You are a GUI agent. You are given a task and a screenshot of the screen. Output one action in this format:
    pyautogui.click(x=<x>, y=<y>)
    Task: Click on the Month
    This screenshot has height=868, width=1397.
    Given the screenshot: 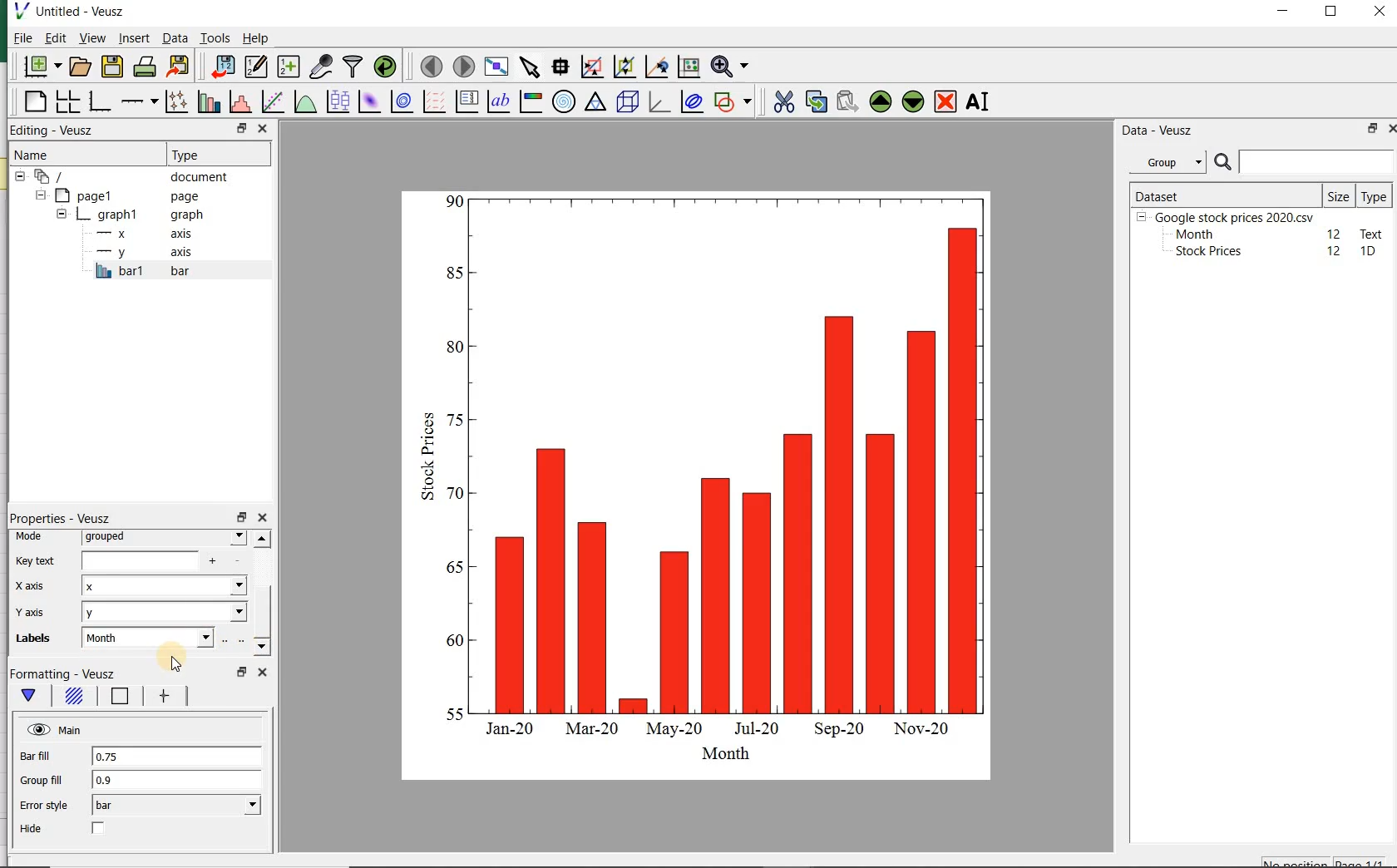 What is the action you would take?
    pyautogui.click(x=1193, y=234)
    